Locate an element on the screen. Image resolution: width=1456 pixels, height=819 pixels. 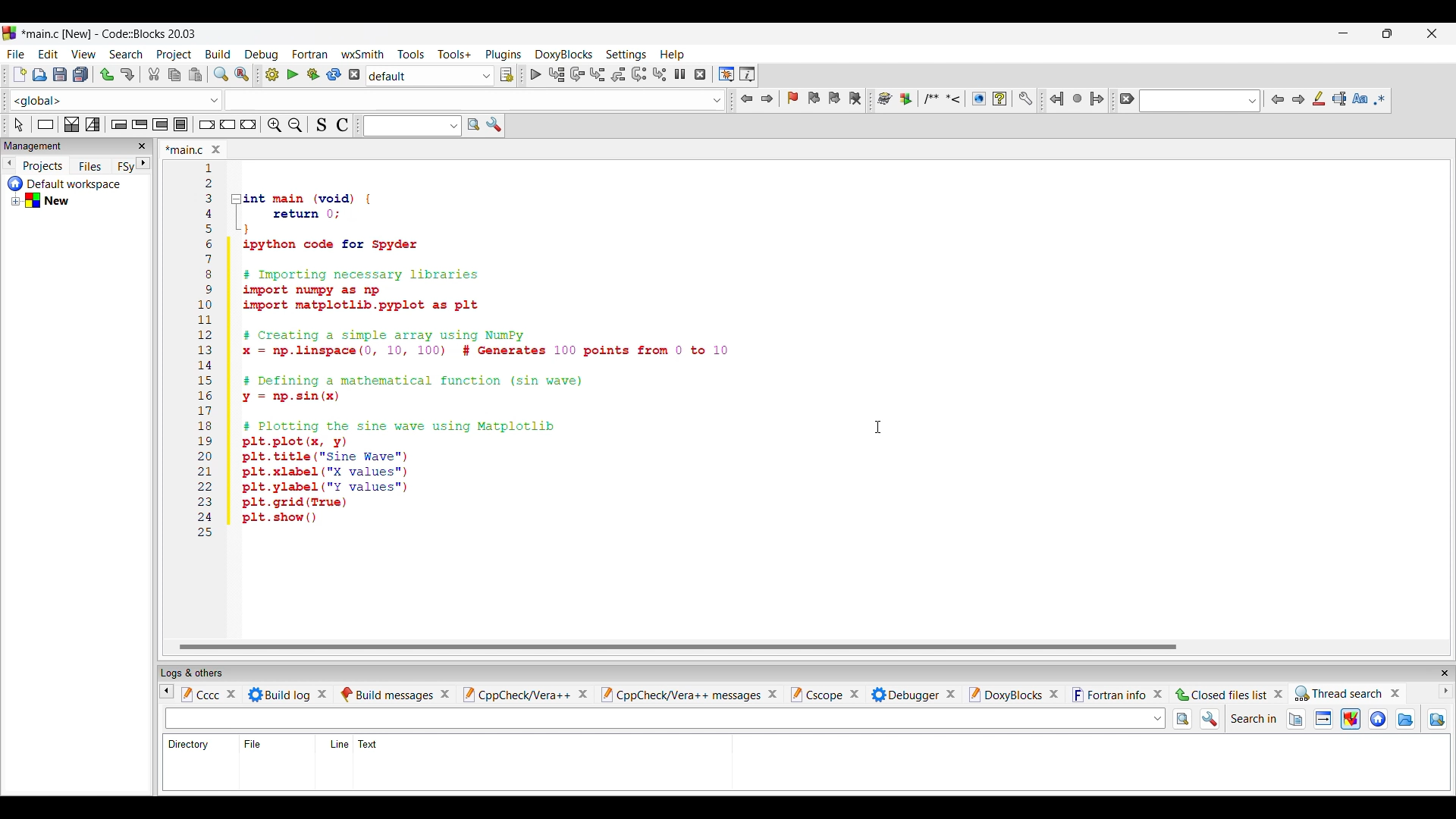
 is located at coordinates (1351, 692).